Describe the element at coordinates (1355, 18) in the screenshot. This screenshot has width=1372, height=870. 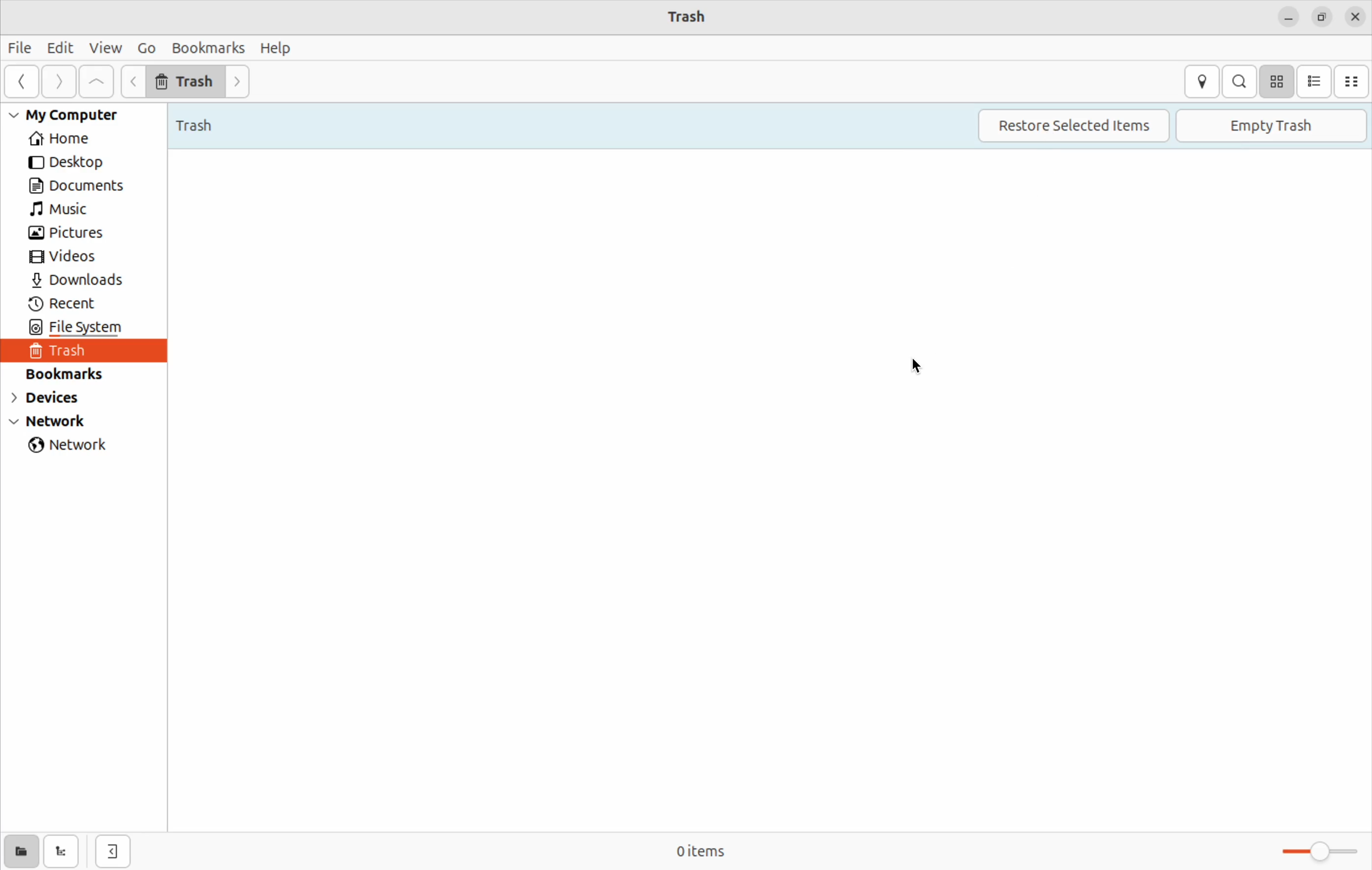
I see `close` at that location.